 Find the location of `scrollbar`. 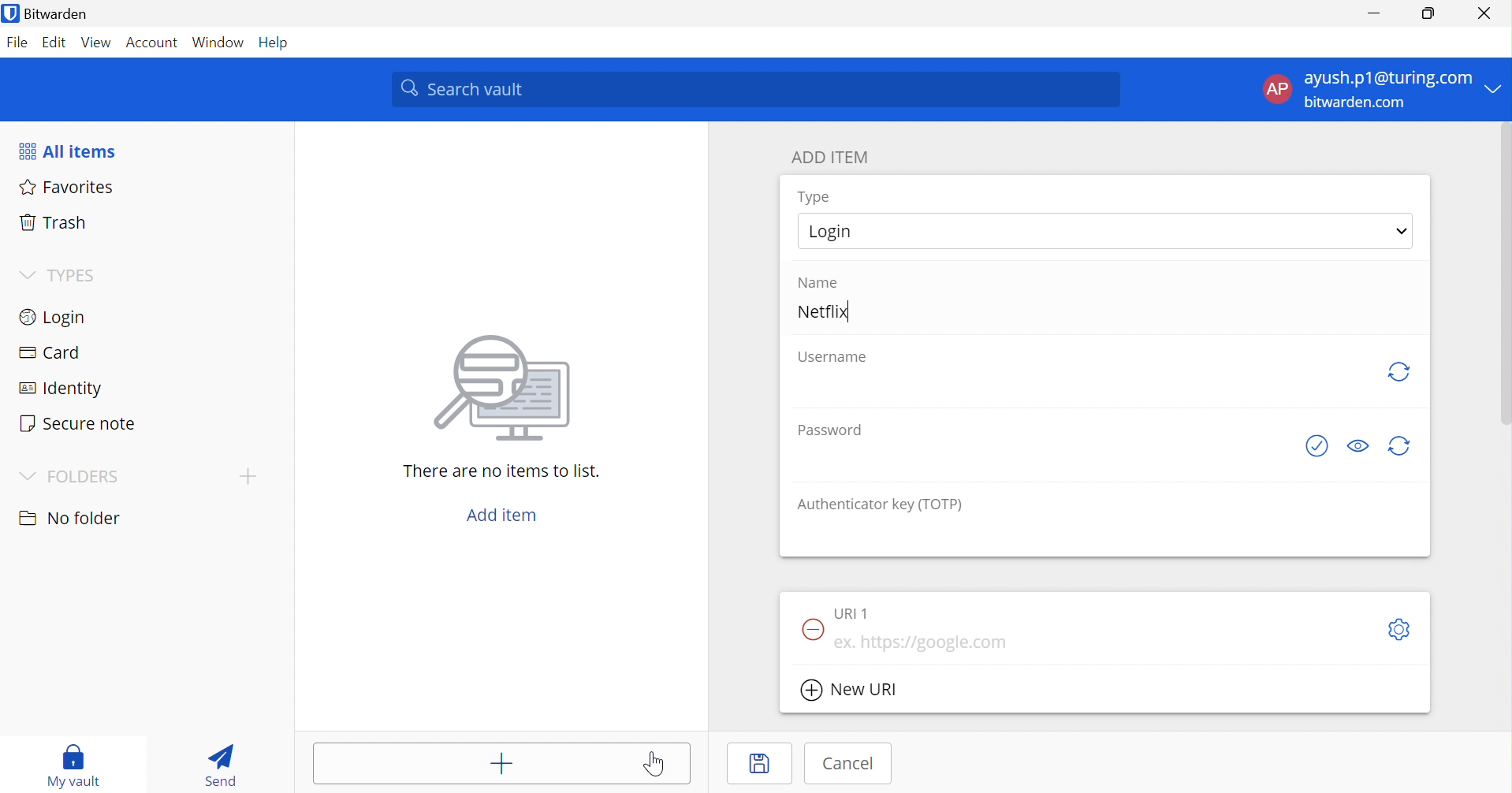

scrollbar is located at coordinates (1506, 273).